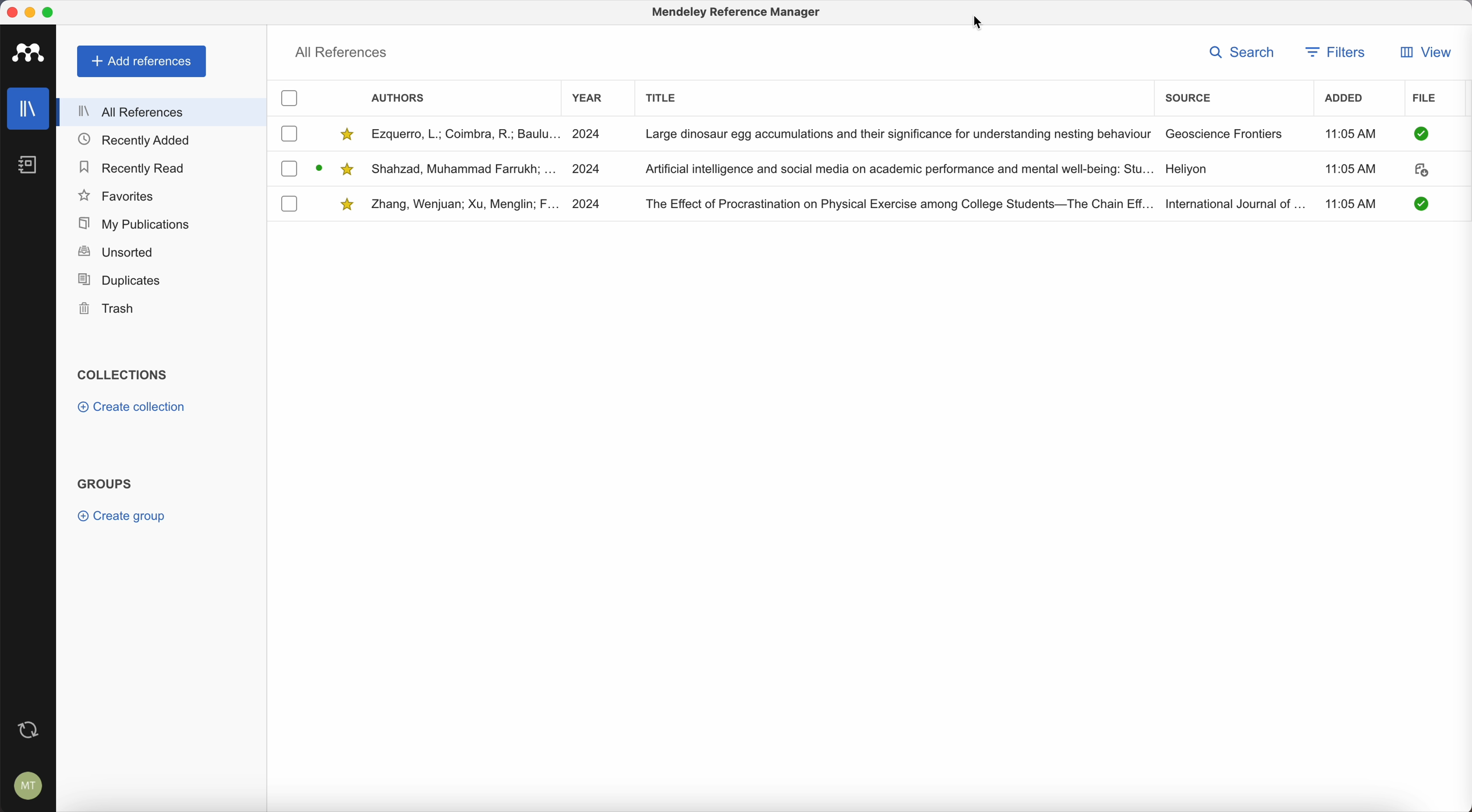 This screenshot has height=812, width=1472. I want to click on checkbox, so click(289, 203).